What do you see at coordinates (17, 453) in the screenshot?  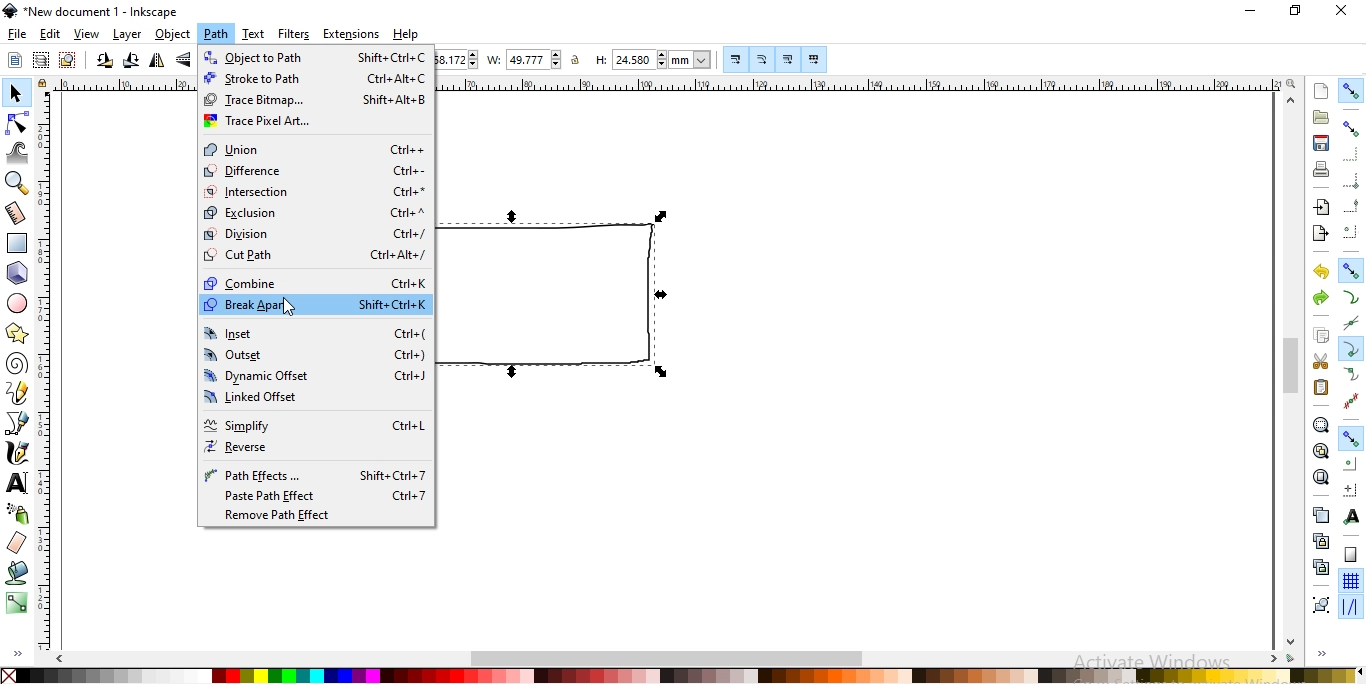 I see `draw  calligraphic or brush strokes` at bounding box center [17, 453].